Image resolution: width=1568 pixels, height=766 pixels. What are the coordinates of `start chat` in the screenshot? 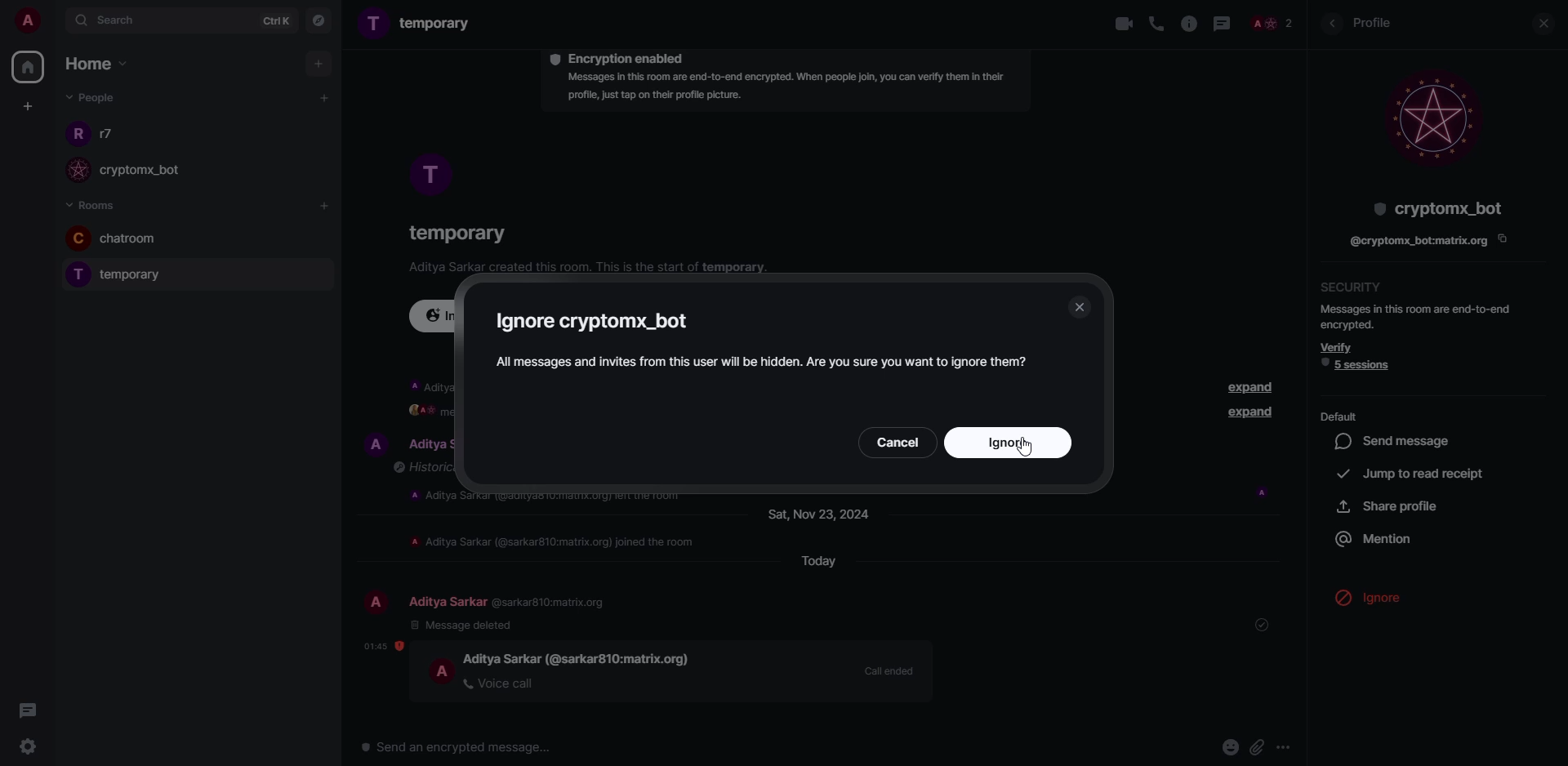 It's located at (323, 97).